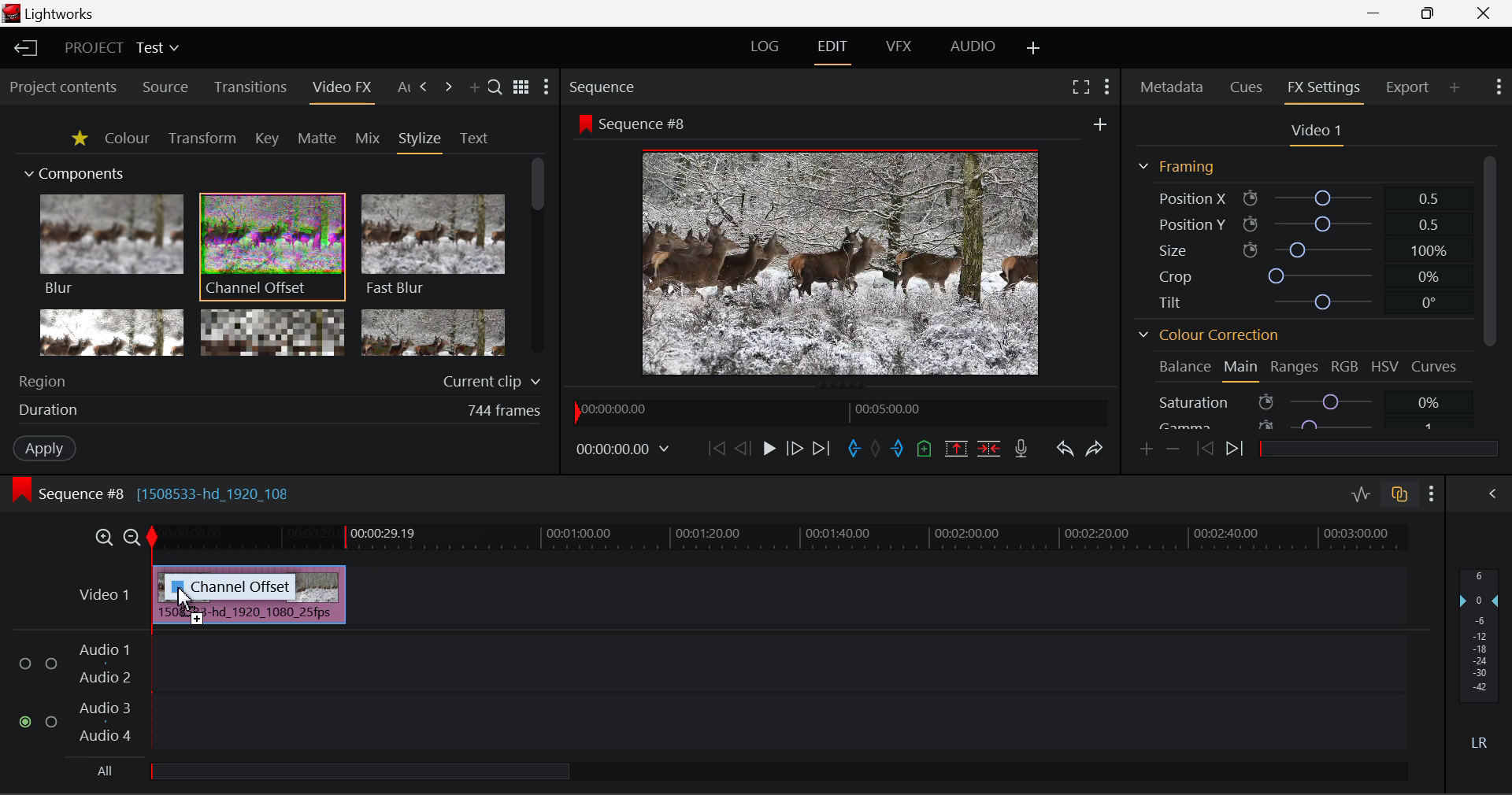  I want to click on Video Settings, so click(1314, 134).